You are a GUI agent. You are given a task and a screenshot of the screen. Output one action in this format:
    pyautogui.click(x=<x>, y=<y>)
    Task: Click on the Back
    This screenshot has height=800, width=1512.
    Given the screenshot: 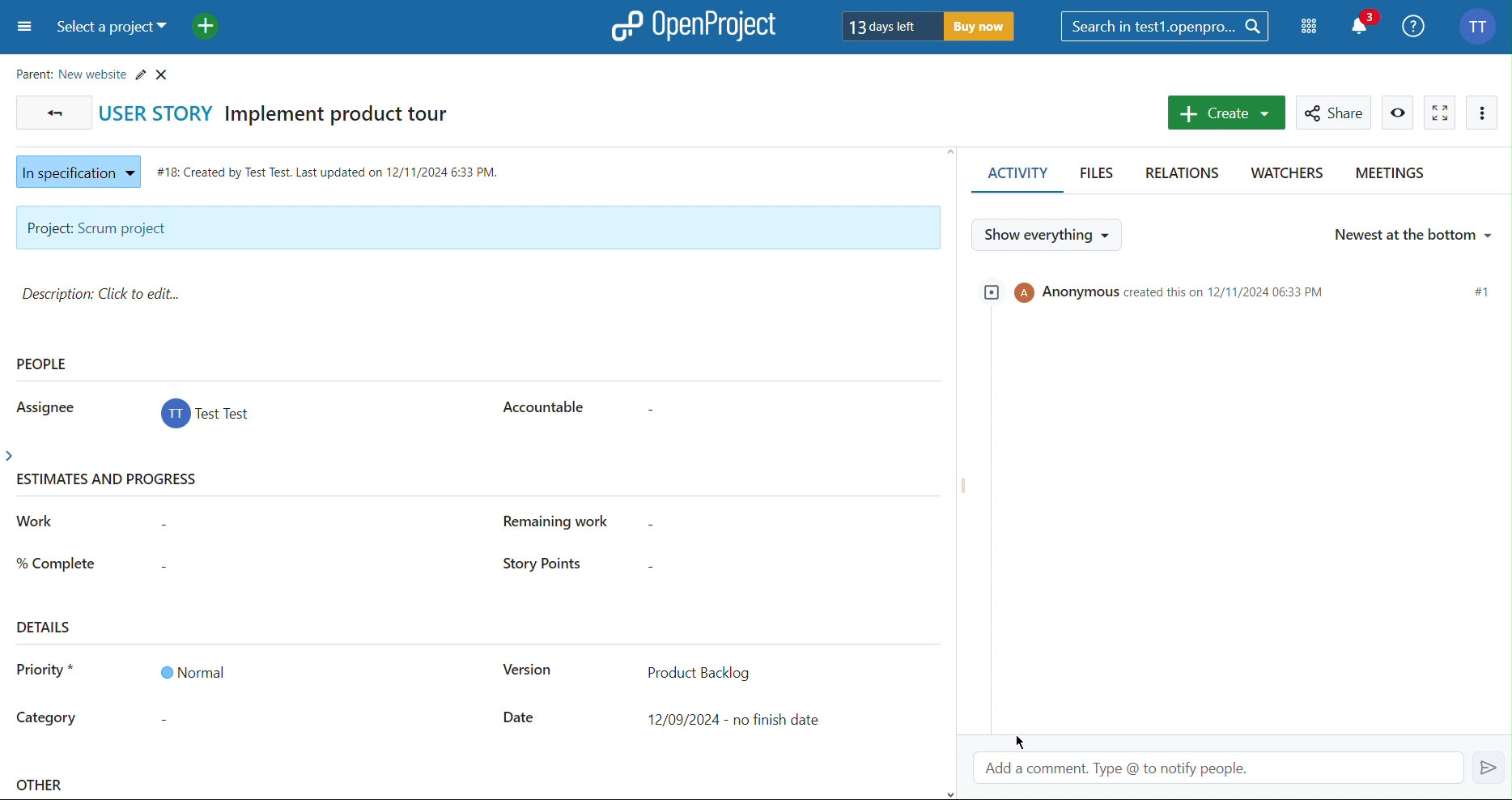 What is the action you would take?
    pyautogui.click(x=51, y=112)
    